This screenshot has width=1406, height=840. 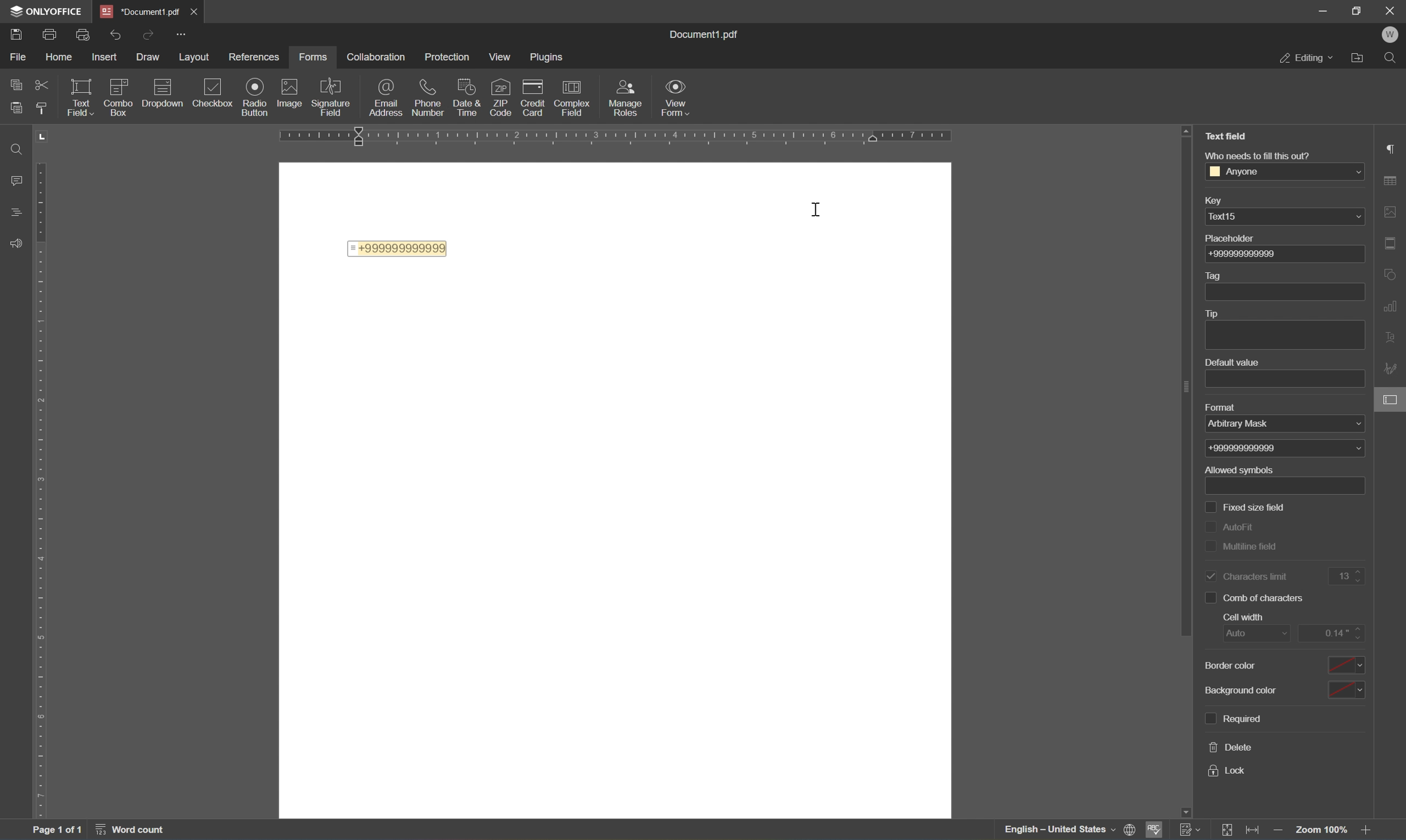 What do you see at coordinates (134, 829) in the screenshot?
I see `word count` at bounding box center [134, 829].